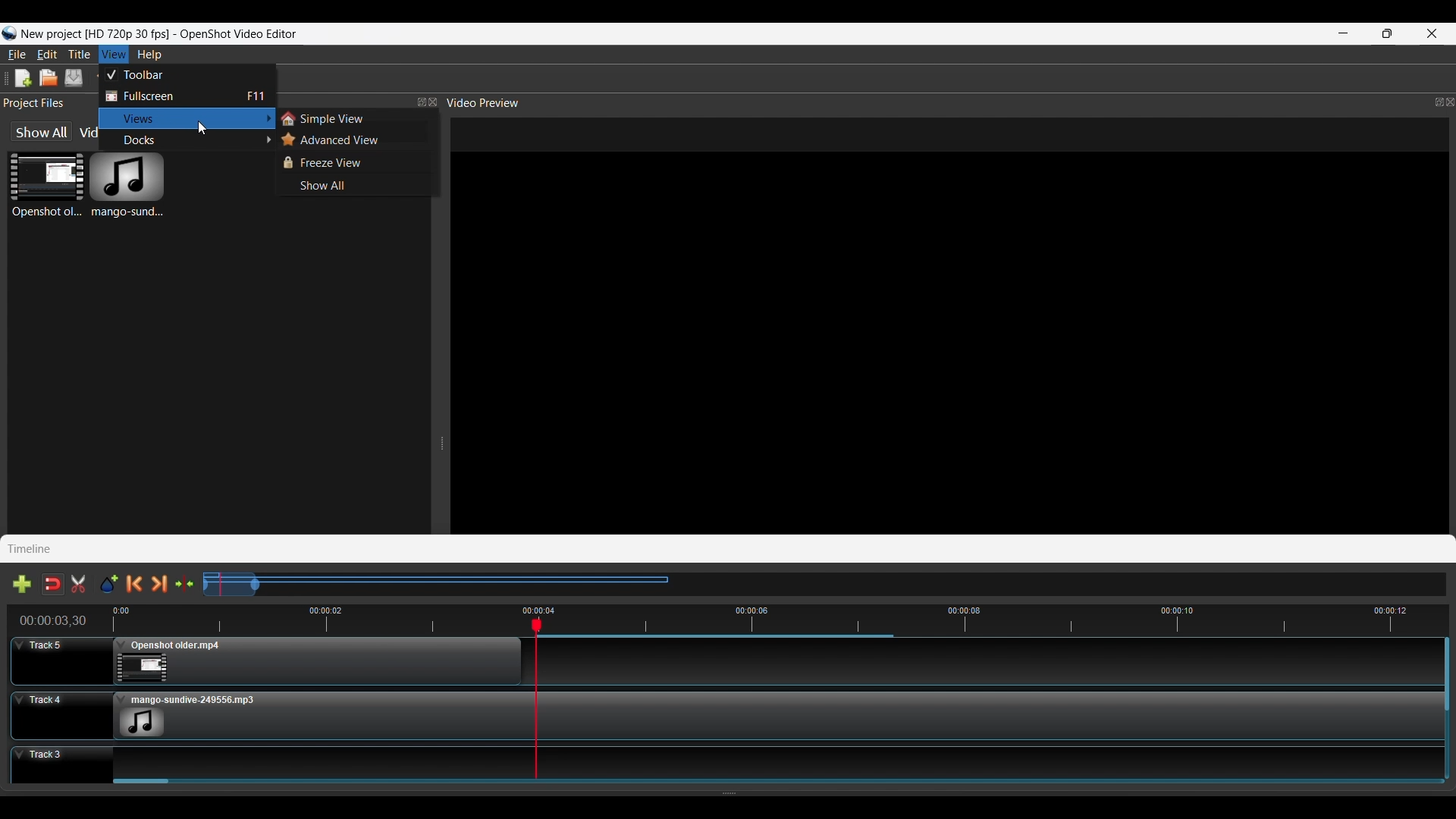  What do you see at coordinates (1432, 33) in the screenshot?
I see `Close` at bounding box center [1432, 33].